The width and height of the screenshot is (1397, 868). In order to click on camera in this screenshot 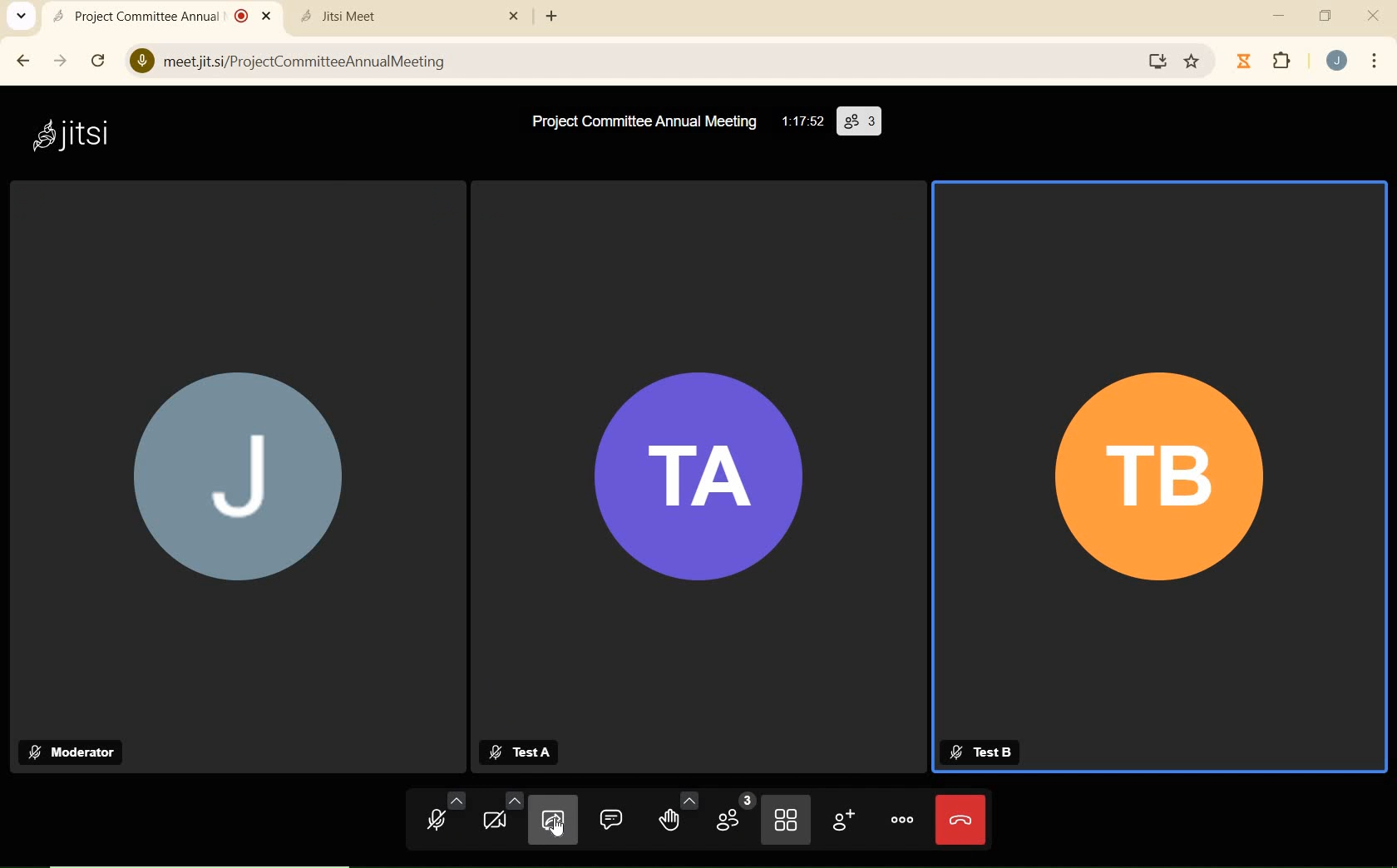, I will do `click(501, 816)`.